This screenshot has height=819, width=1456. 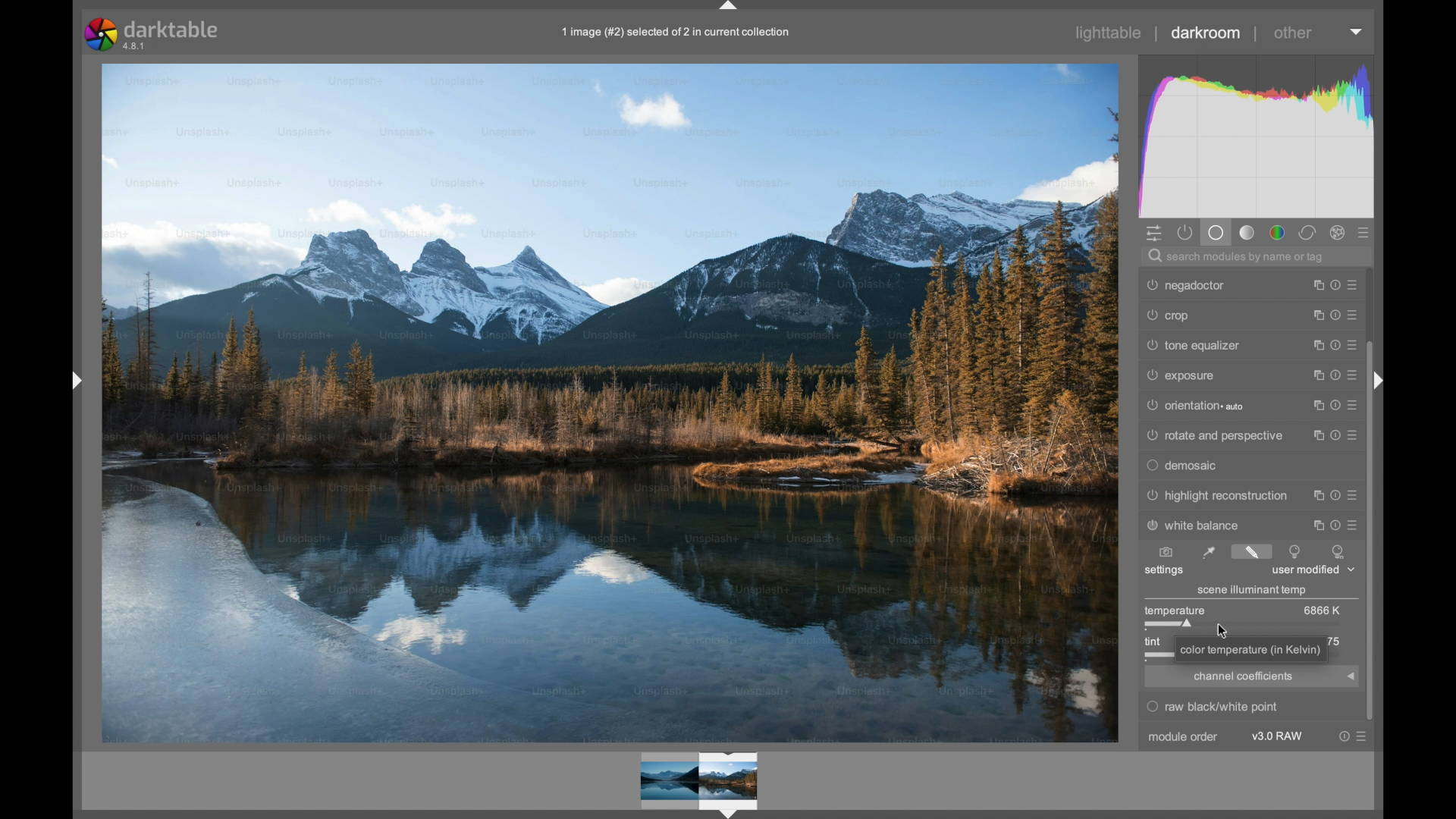 I want to click on crop, so click(x=1168, y=314).